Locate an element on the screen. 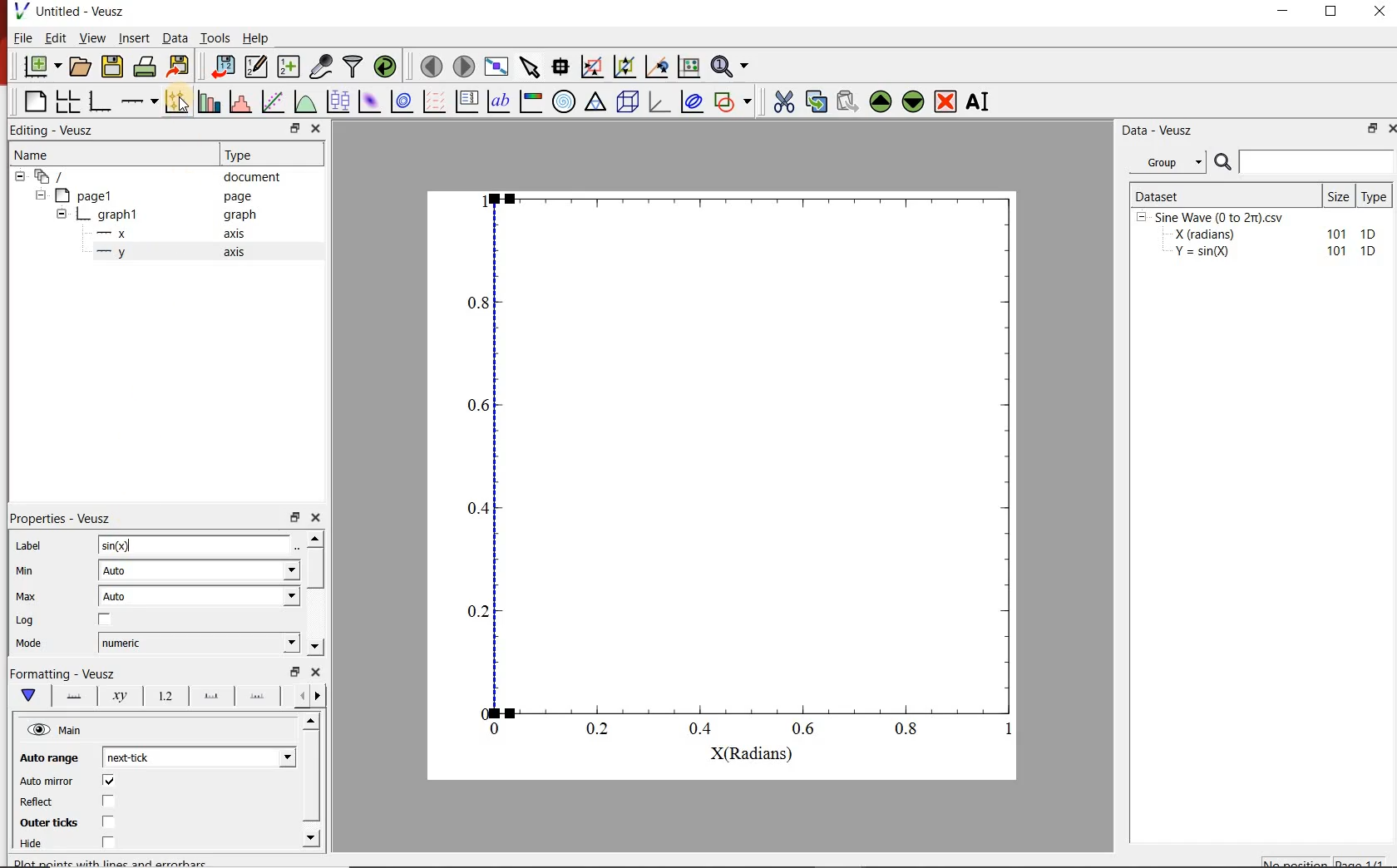 This screenshot has width=1397, height=868. cut is located at coordinates (784, 100).